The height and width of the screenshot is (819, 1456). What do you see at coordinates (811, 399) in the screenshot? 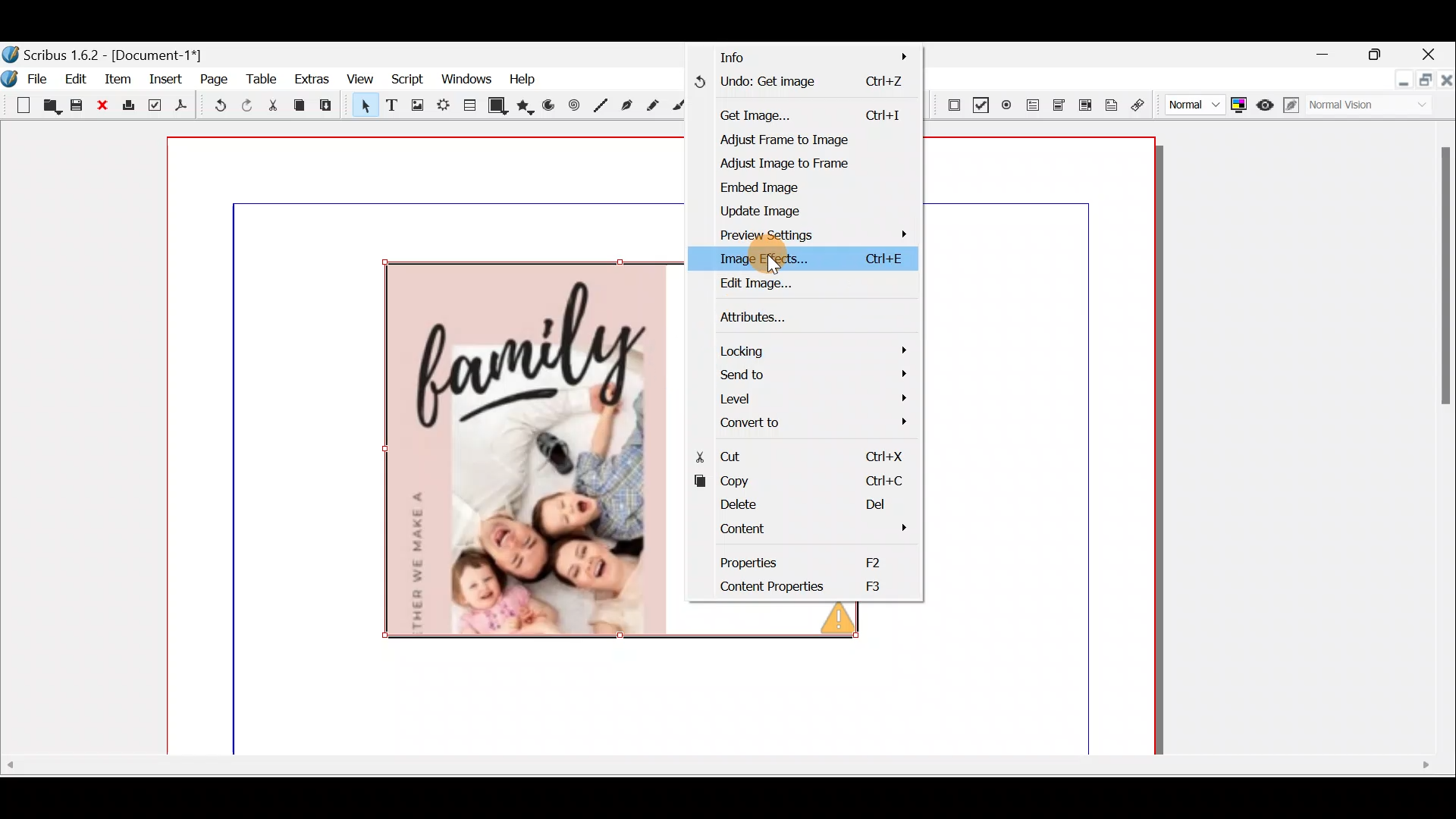
I see `Level` at bounding box center [811, 399].